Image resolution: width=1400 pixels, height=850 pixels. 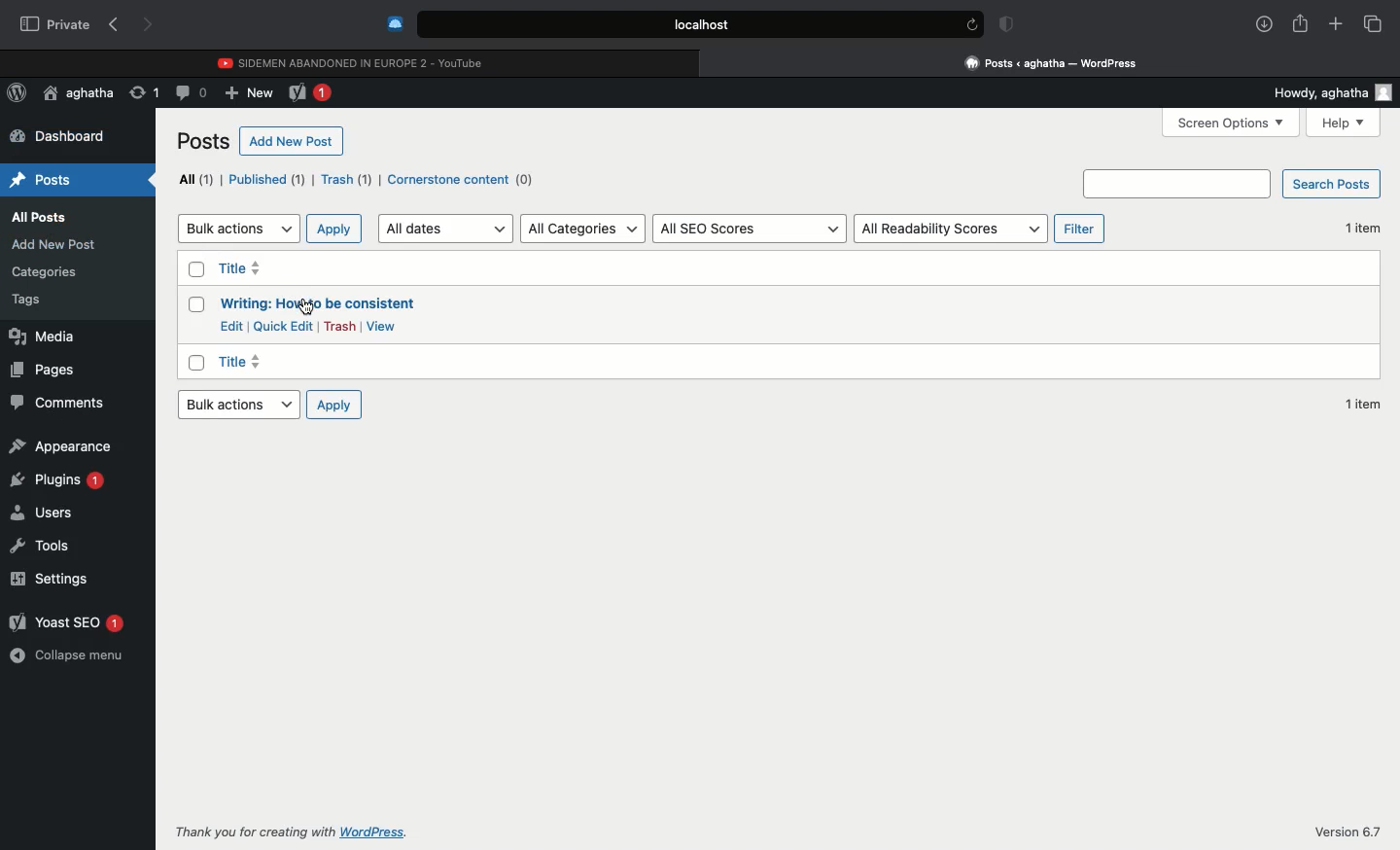 I want to click on Clicking on Wordpress tab, so click(x=1052, y=62).